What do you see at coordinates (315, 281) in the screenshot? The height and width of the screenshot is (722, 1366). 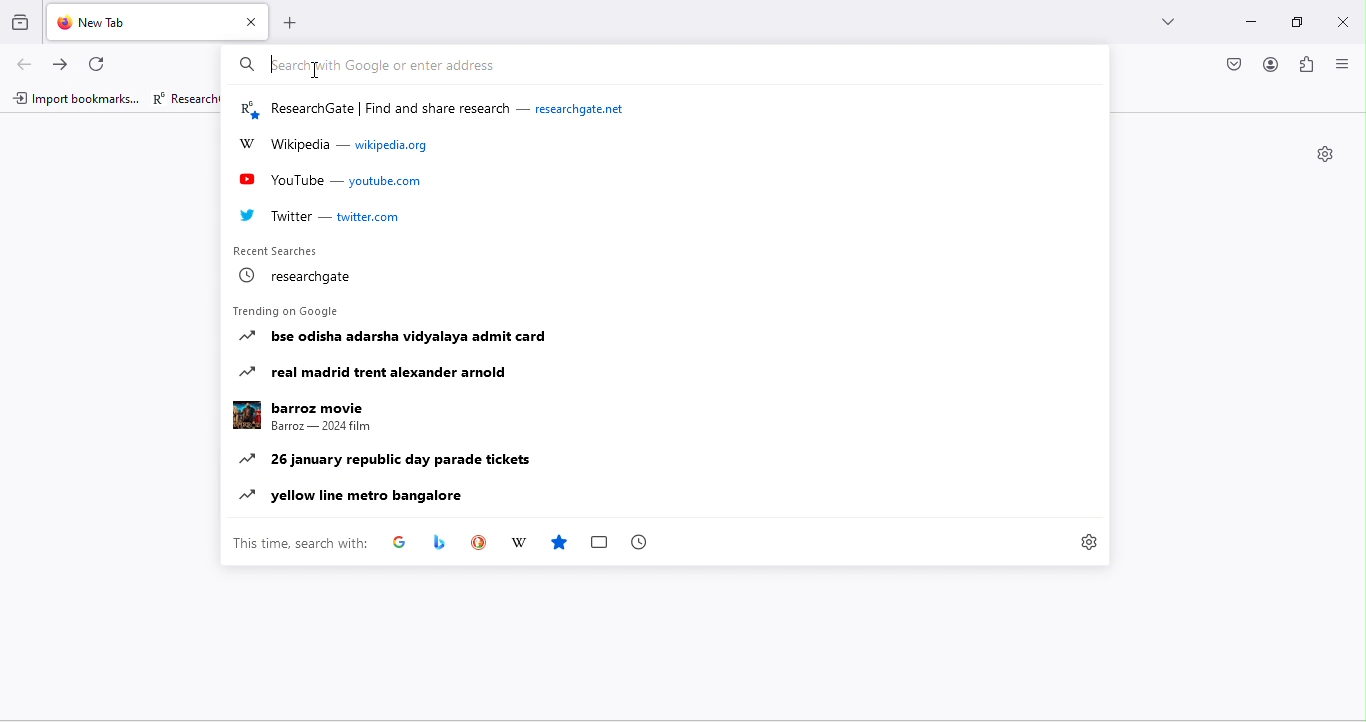 I see `research gate` at bounding box center [315, 281].